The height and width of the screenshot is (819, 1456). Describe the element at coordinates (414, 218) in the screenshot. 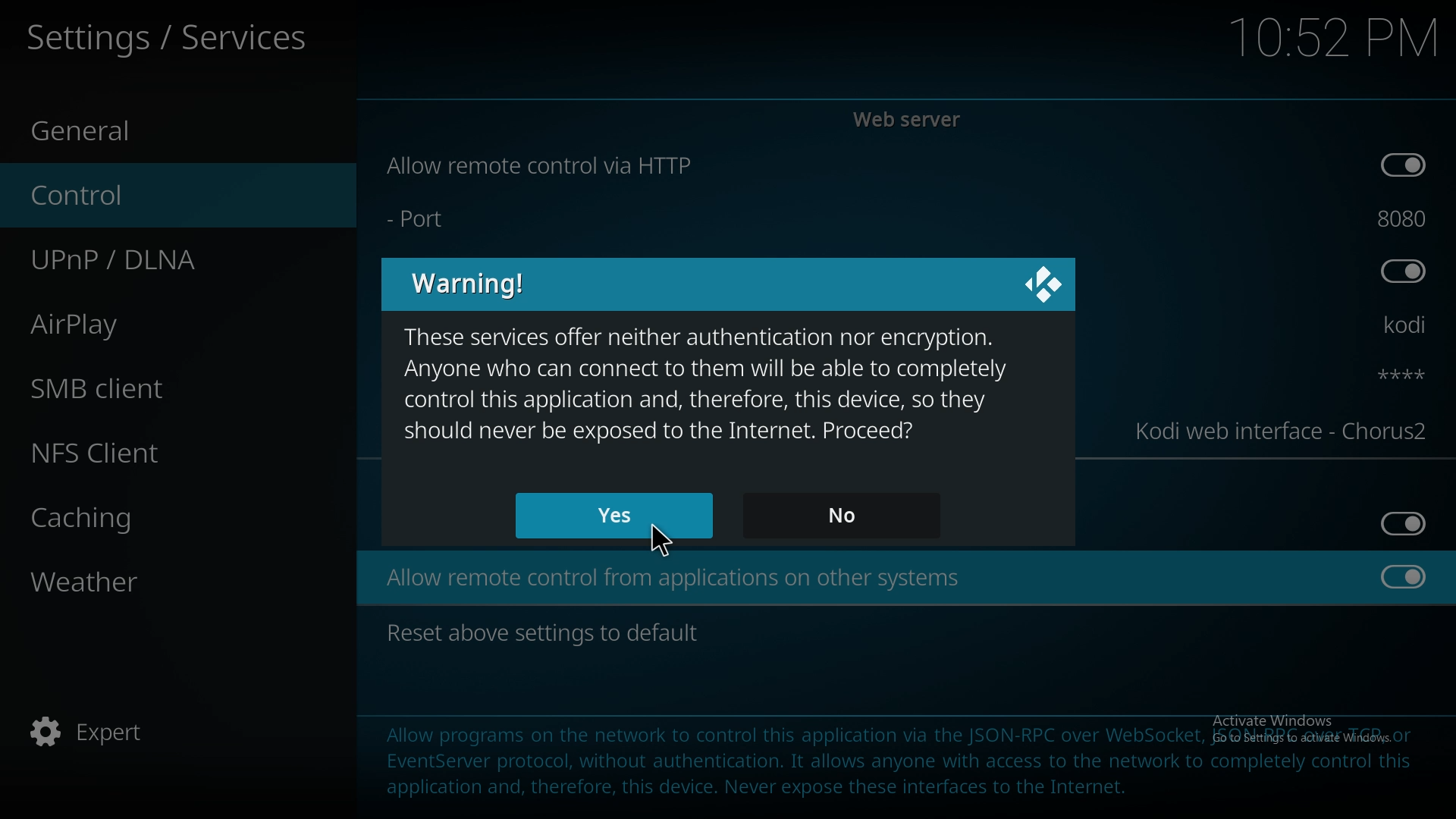

I see `Port` at that location.